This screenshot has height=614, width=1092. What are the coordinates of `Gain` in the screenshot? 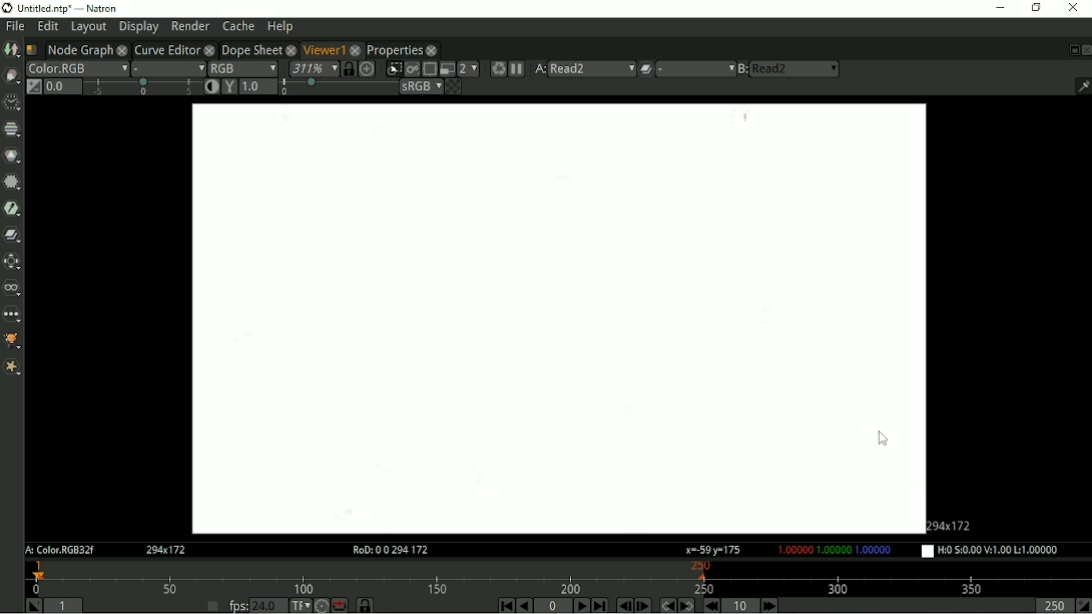 It's located at (61, 86).